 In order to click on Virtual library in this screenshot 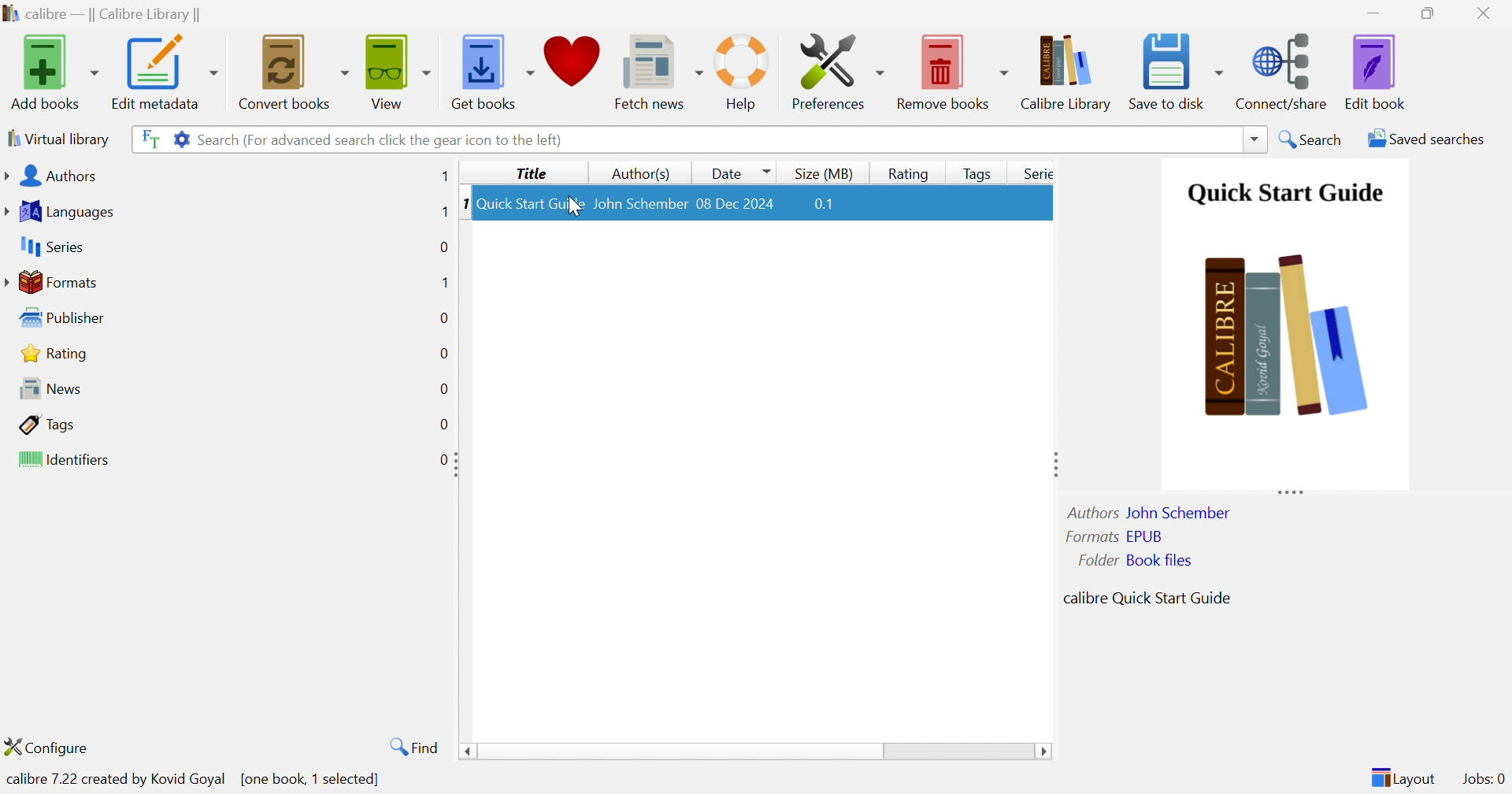, I will do `click(59, 139)`.